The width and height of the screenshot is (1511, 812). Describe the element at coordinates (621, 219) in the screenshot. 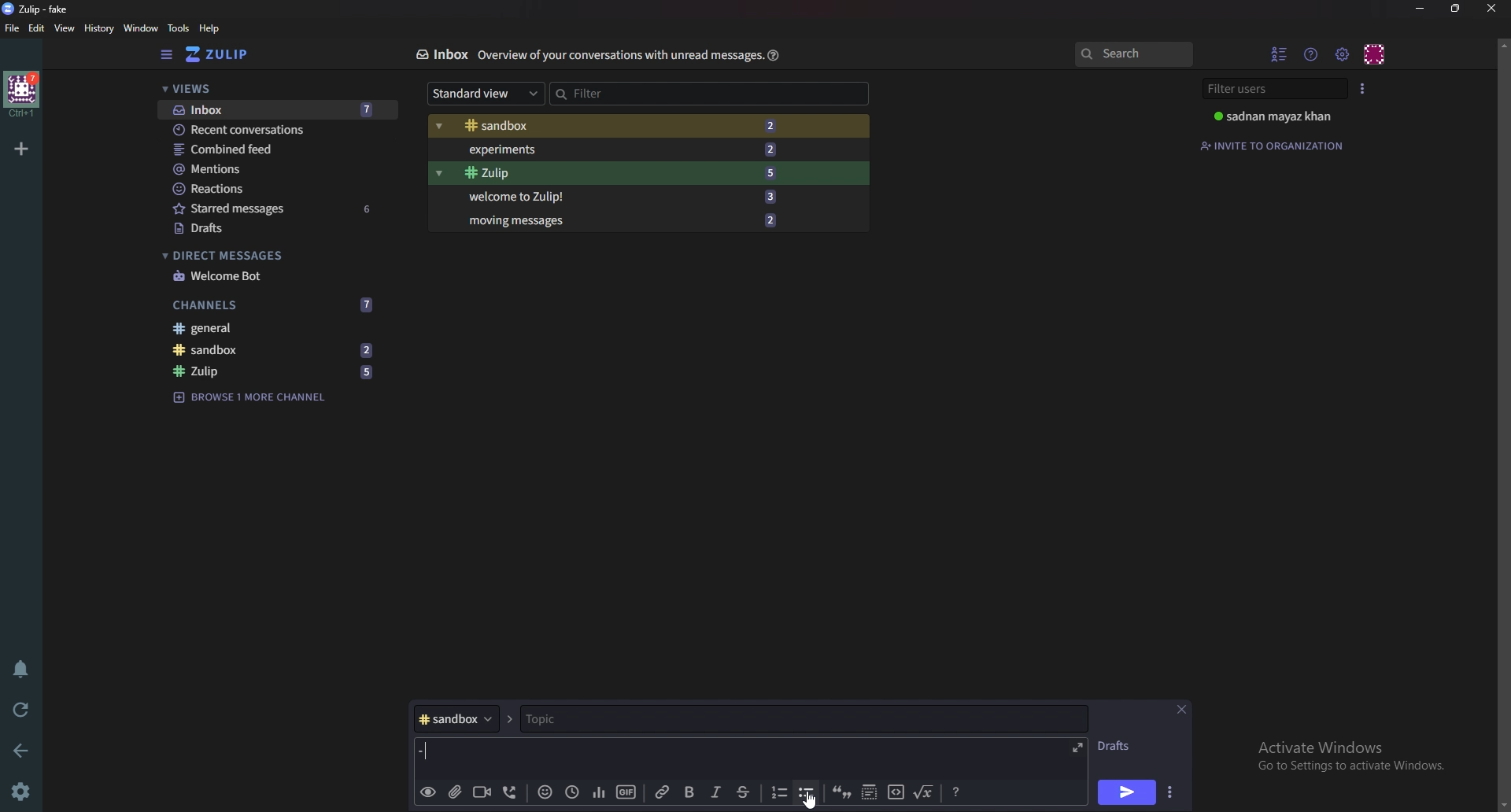

I see `Moving messages` at that location.